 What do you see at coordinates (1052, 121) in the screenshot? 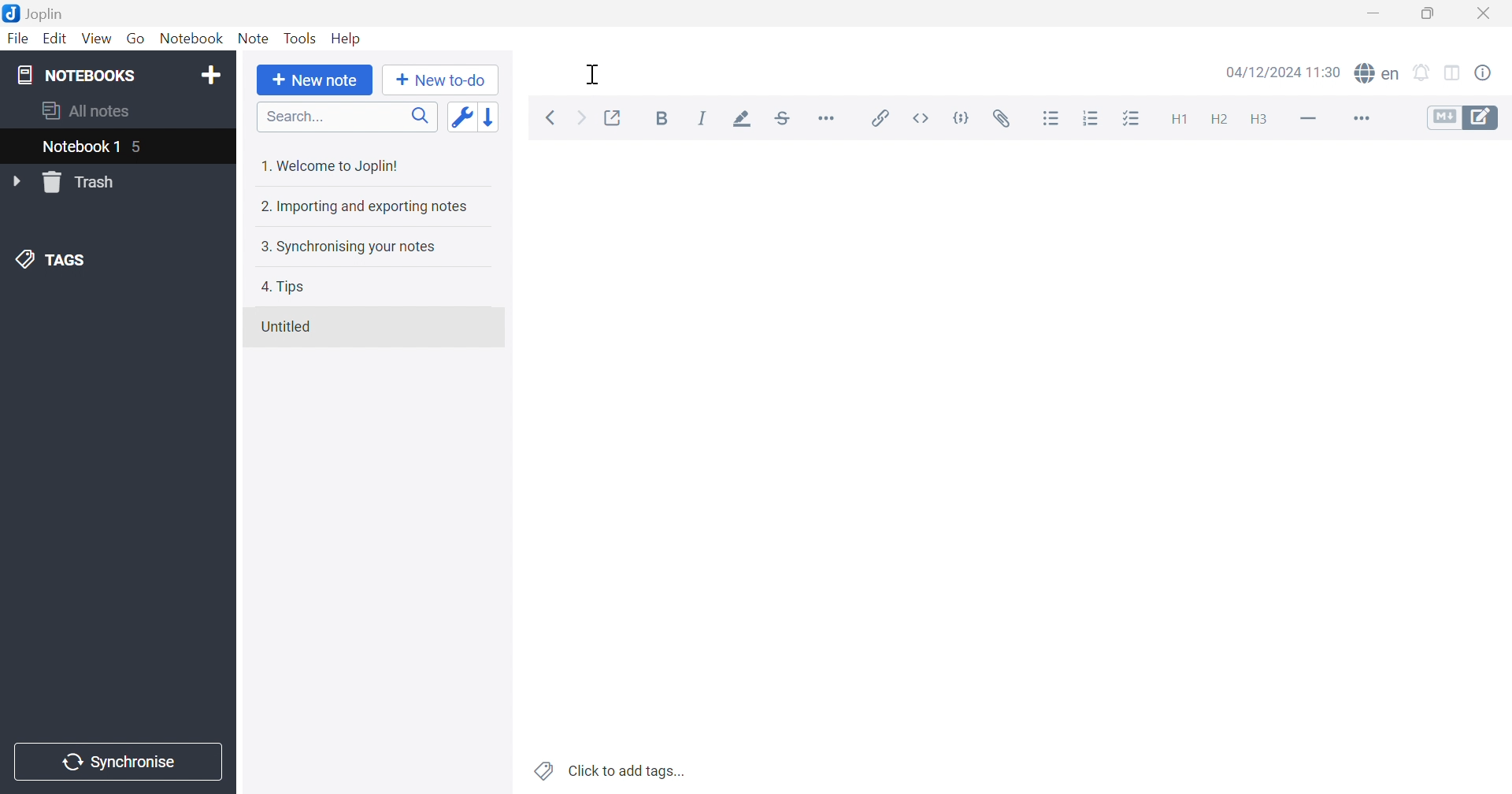
I see `Bulleted list` at bounding box center [1052, 121].